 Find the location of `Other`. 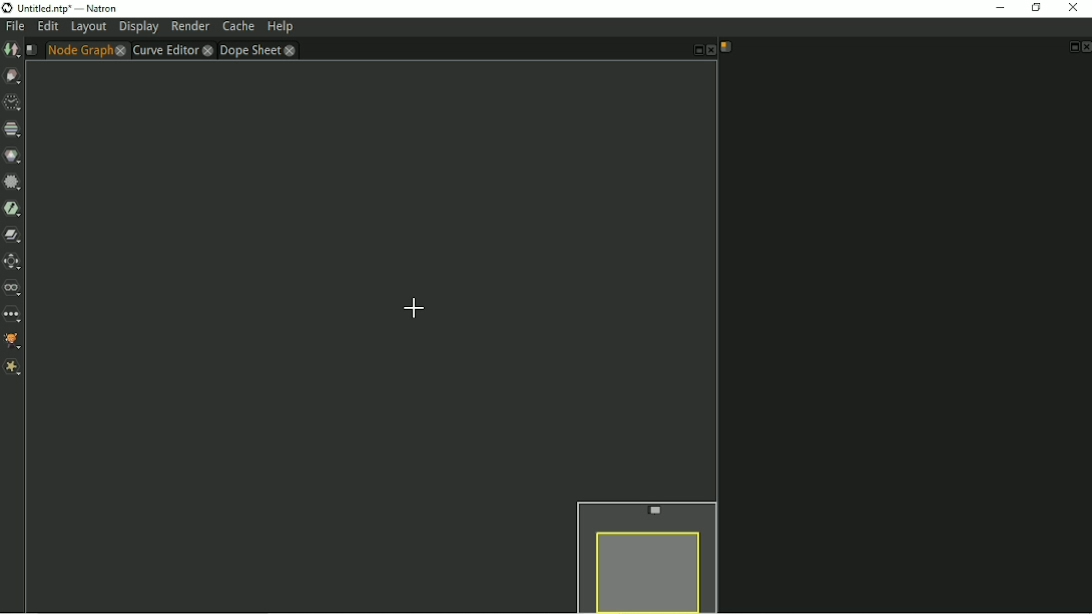

Other is located at coordinates (13, 315).